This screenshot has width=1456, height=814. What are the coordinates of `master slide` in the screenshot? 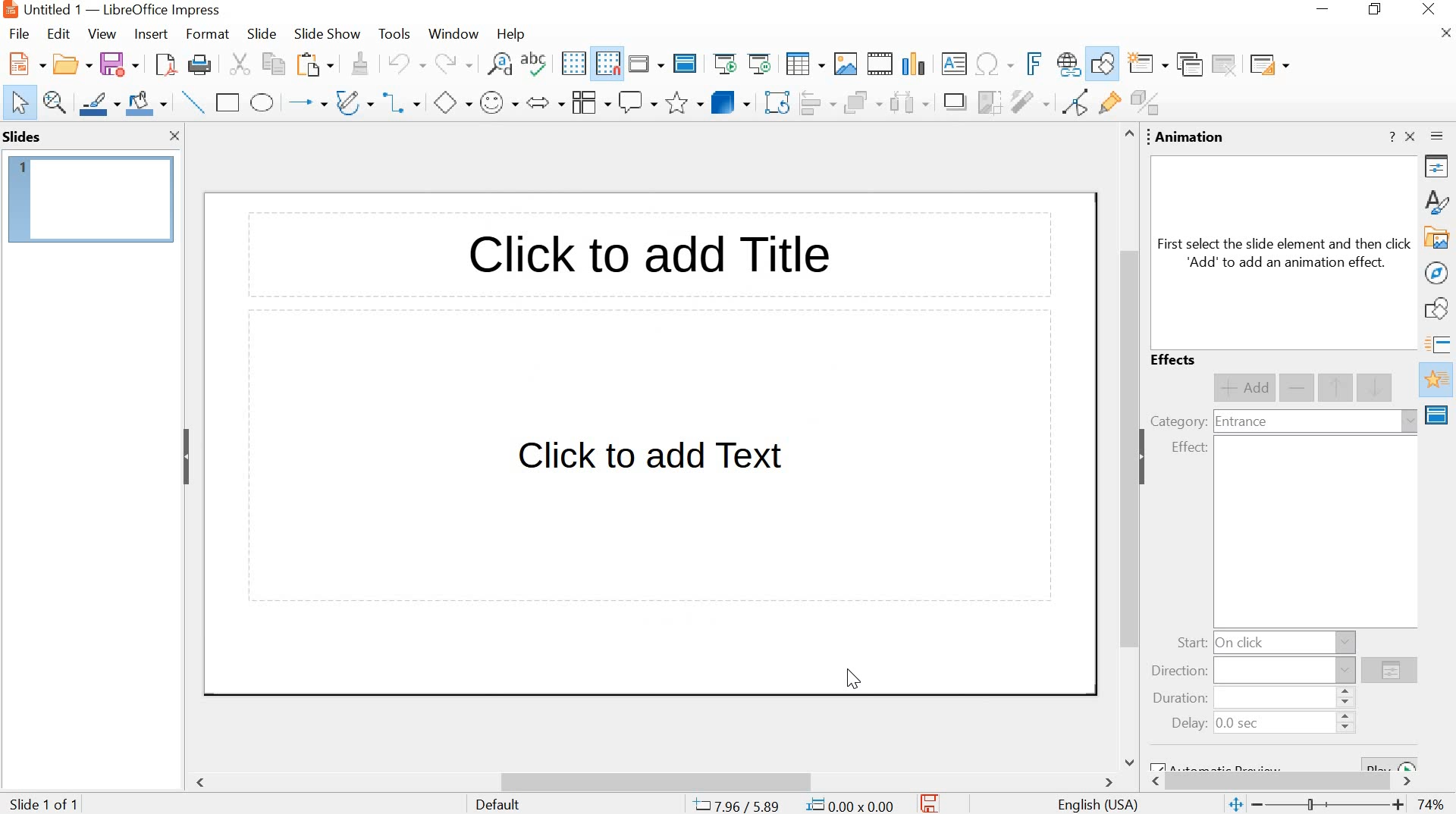 It's located at (685, 64).